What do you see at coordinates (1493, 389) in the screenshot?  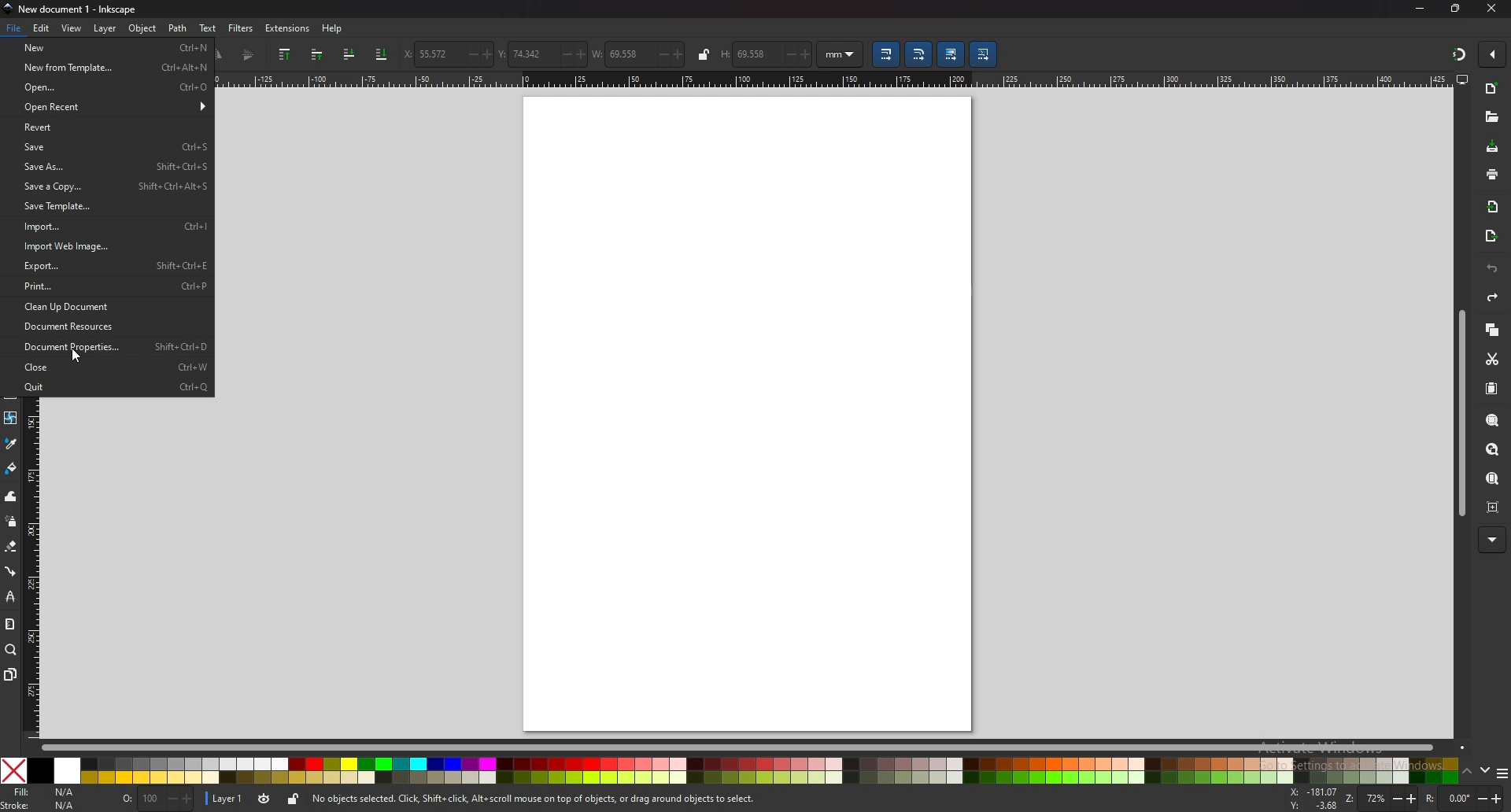 I see `paste` at bounding box center [1493, 389].